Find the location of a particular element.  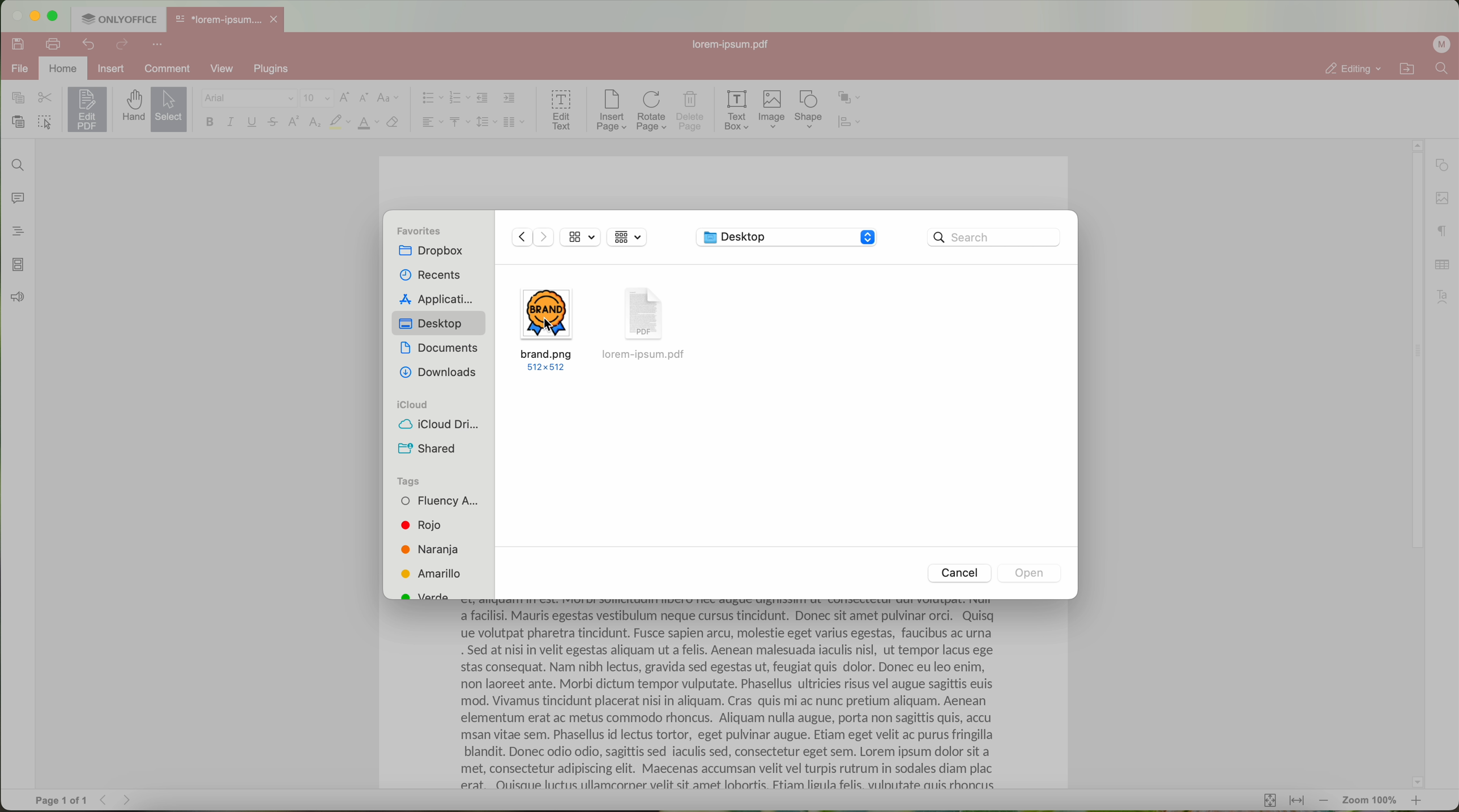

tags is located at coordinates (407, 481).